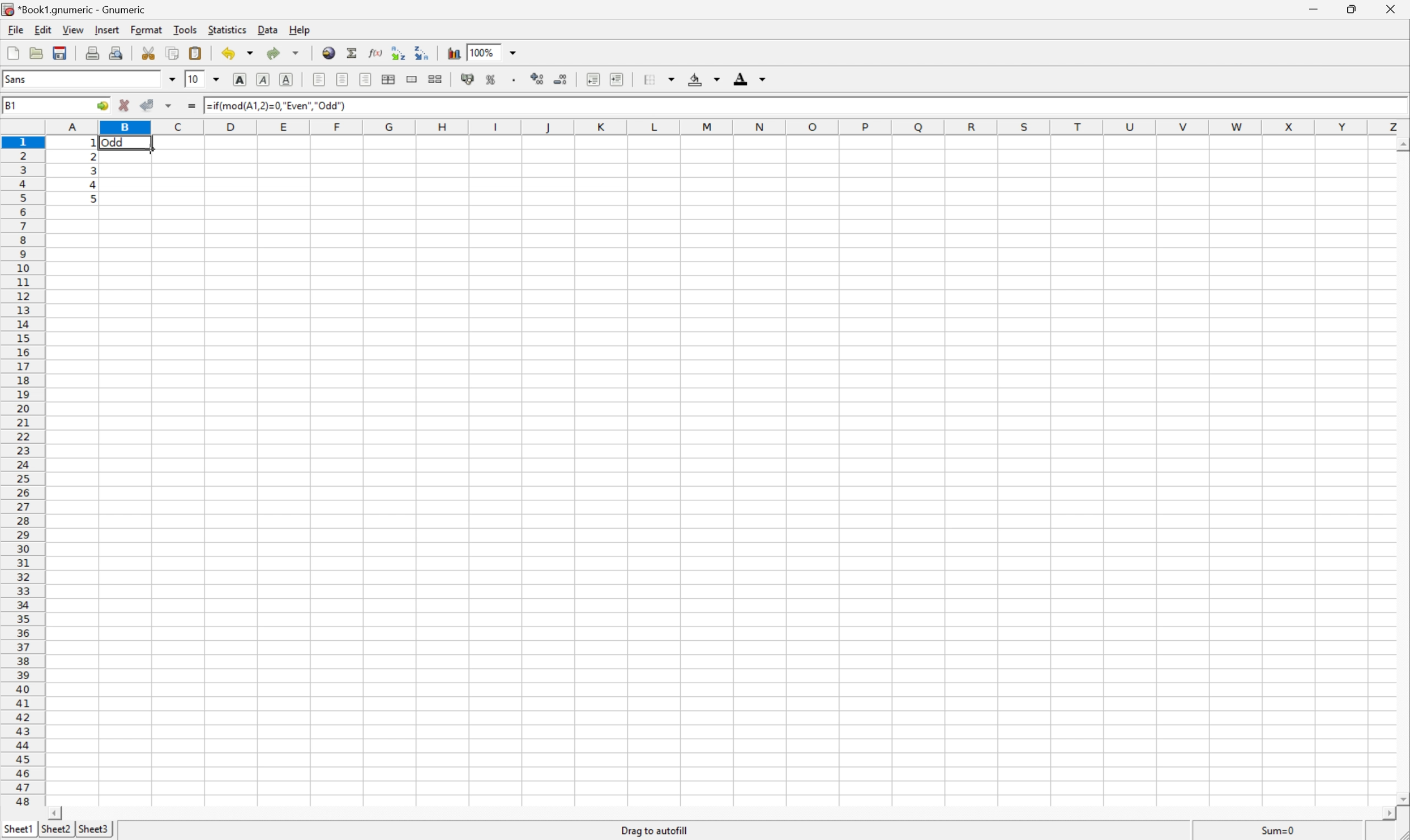 Image resolution: width=1410 pixels, height=840 pixels. What do you see at coordinates (490, 80) in the screenshot?
I see `Format selection as percentage` at bounding box center [490, 80].